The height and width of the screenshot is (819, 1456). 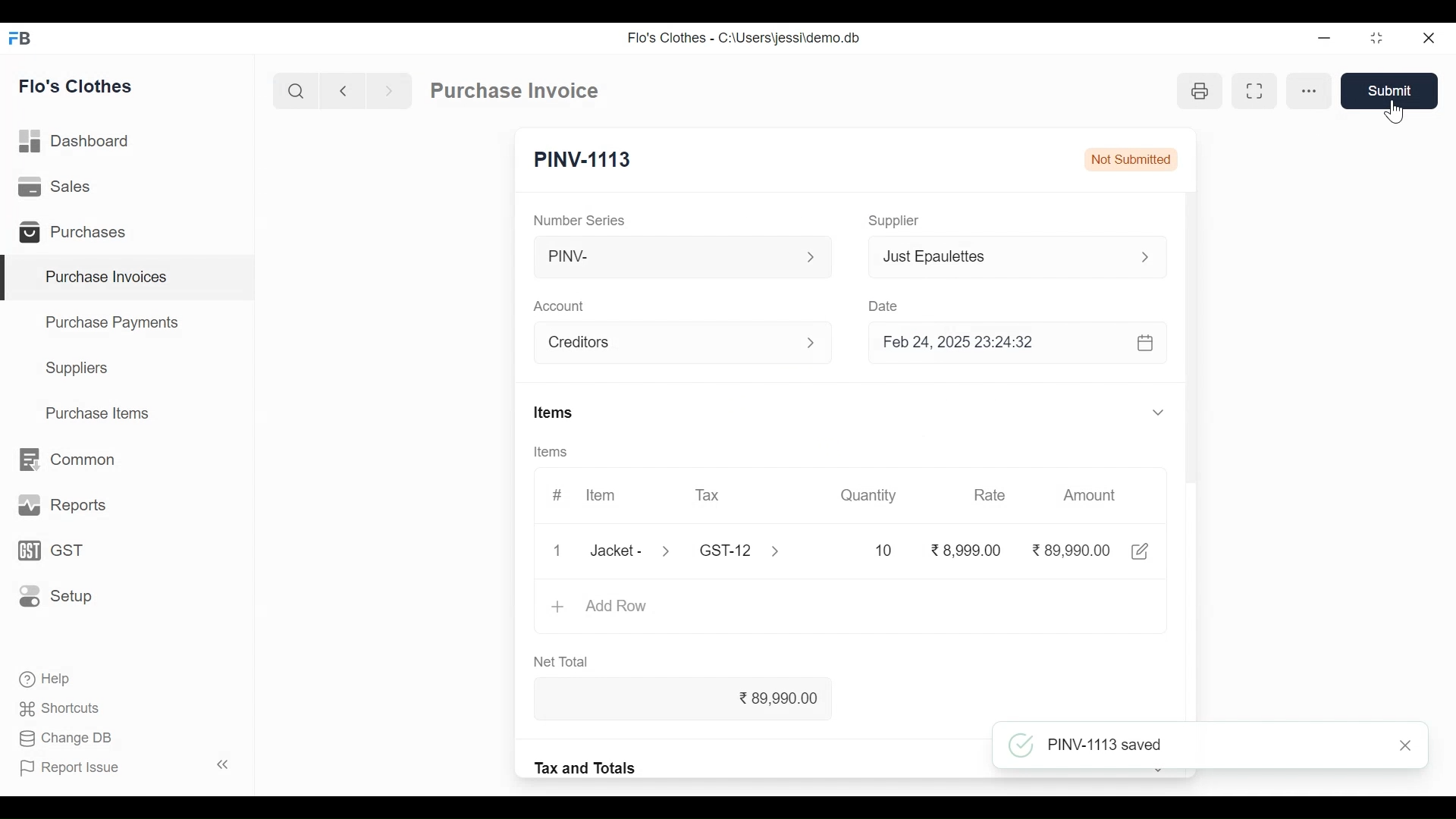 I want to click on Setup, so click(x=52, y=597).